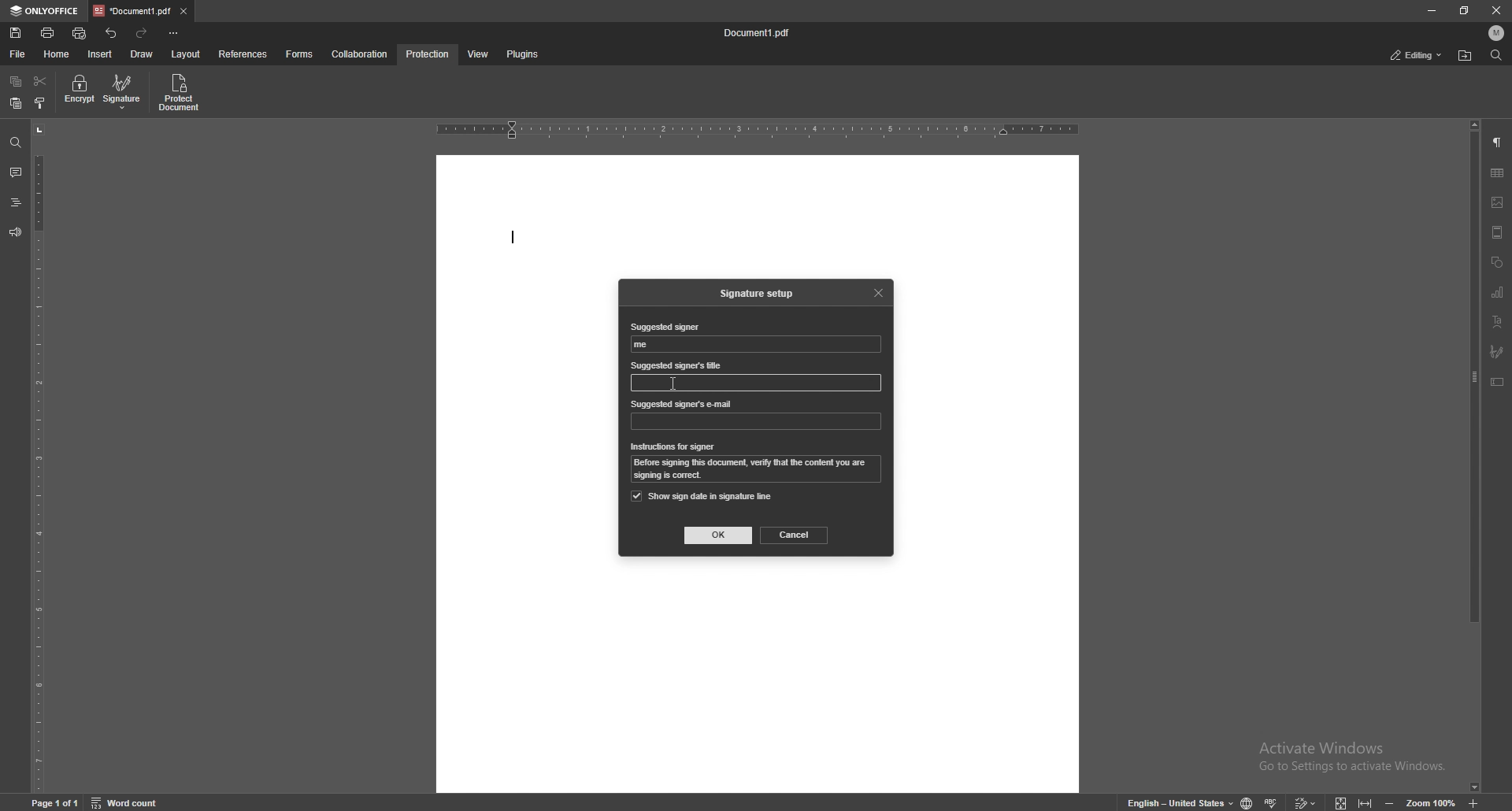 This screenshot has height=811, width=1512. What do you see at coordinates (13, 172) in the screenshot?
I see `comment` at bounding box center [13, 172].